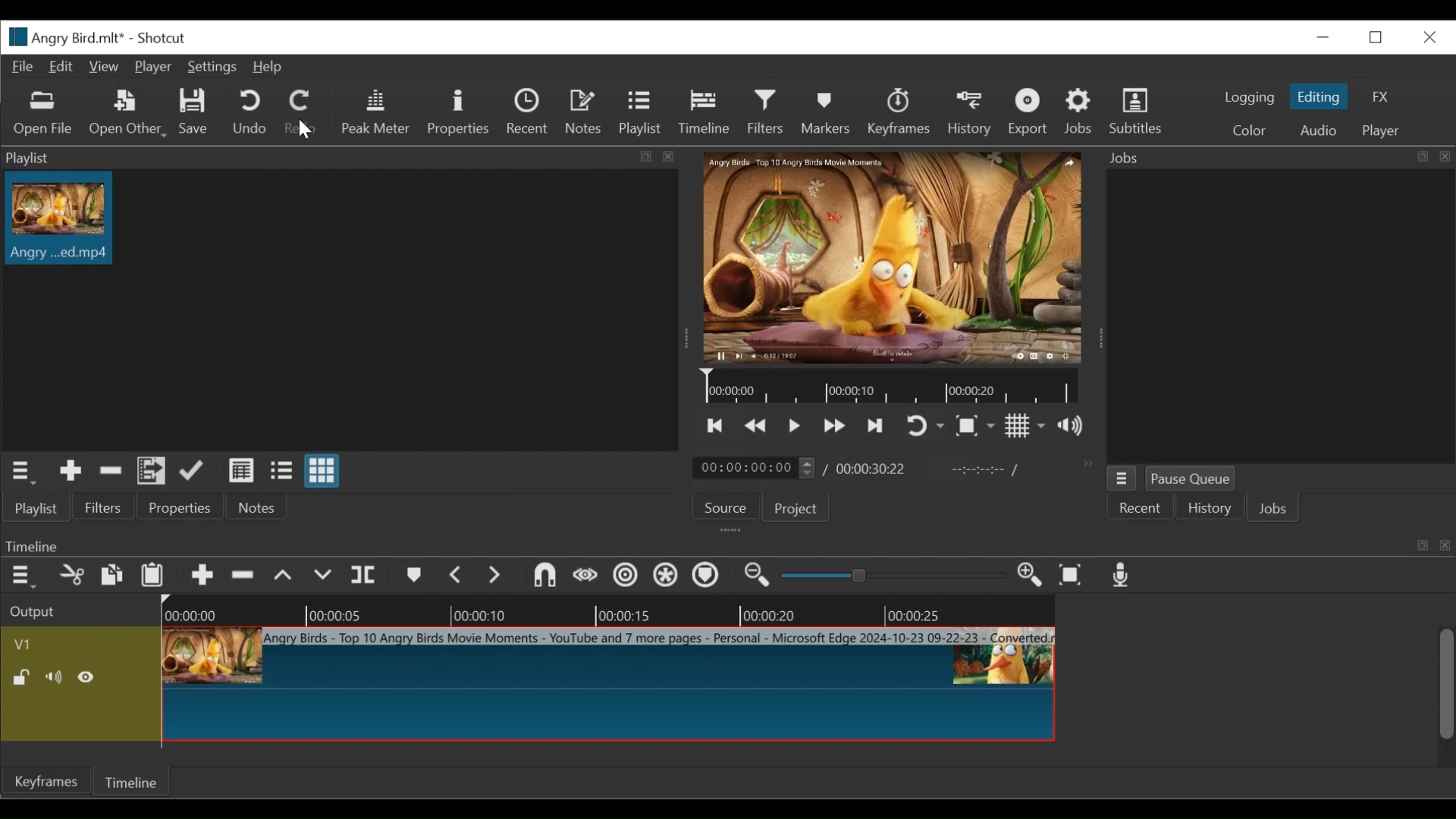 Image resolution: width=1456 pixels, height=819 pixels. Describe the element at coordinates (1122, 478) in the screenshot. I see `Jobs menu` at that location.